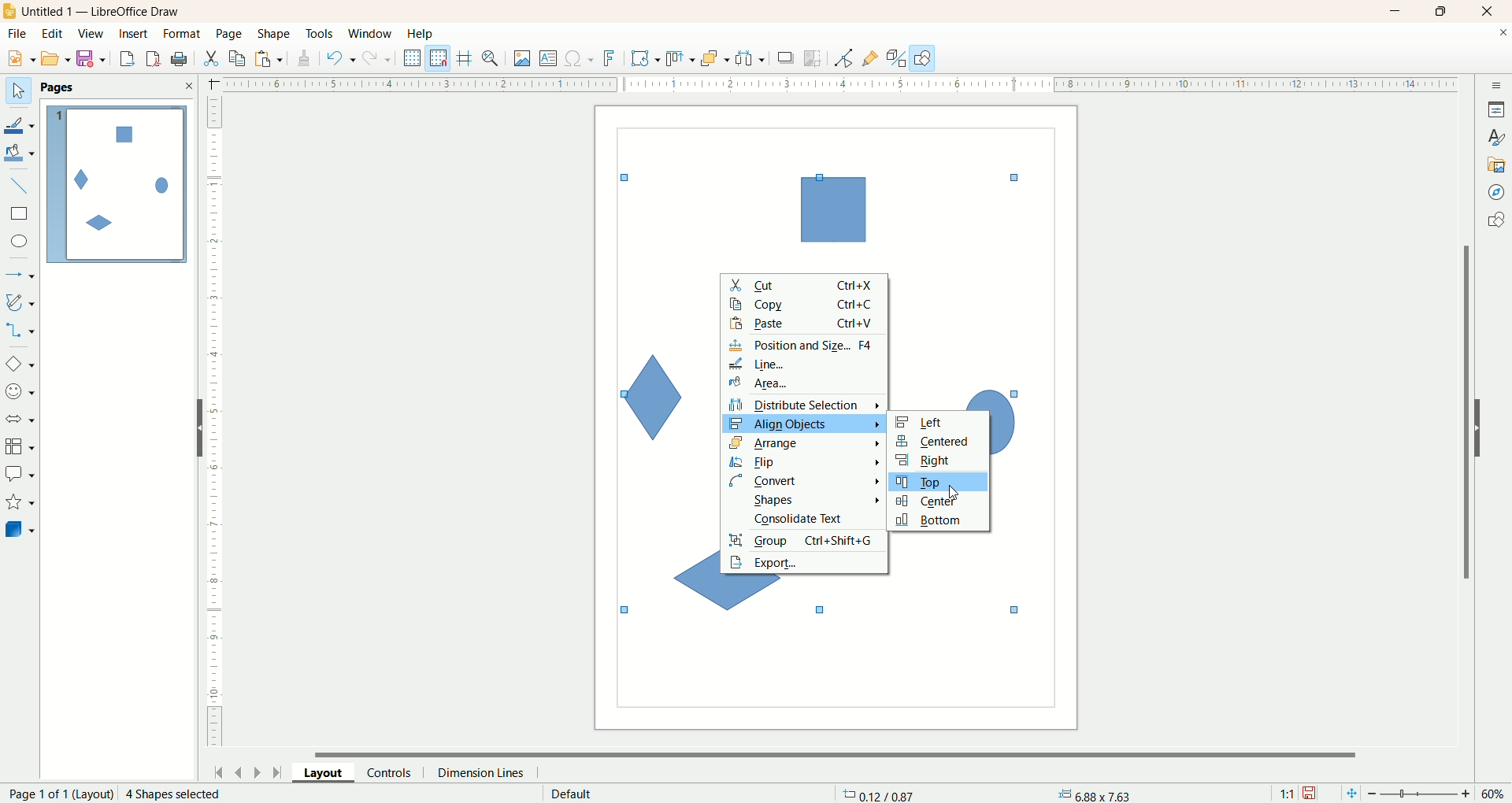  Describe the element at coordinates (573, 794) in the screenshot. I see `default` at that location.